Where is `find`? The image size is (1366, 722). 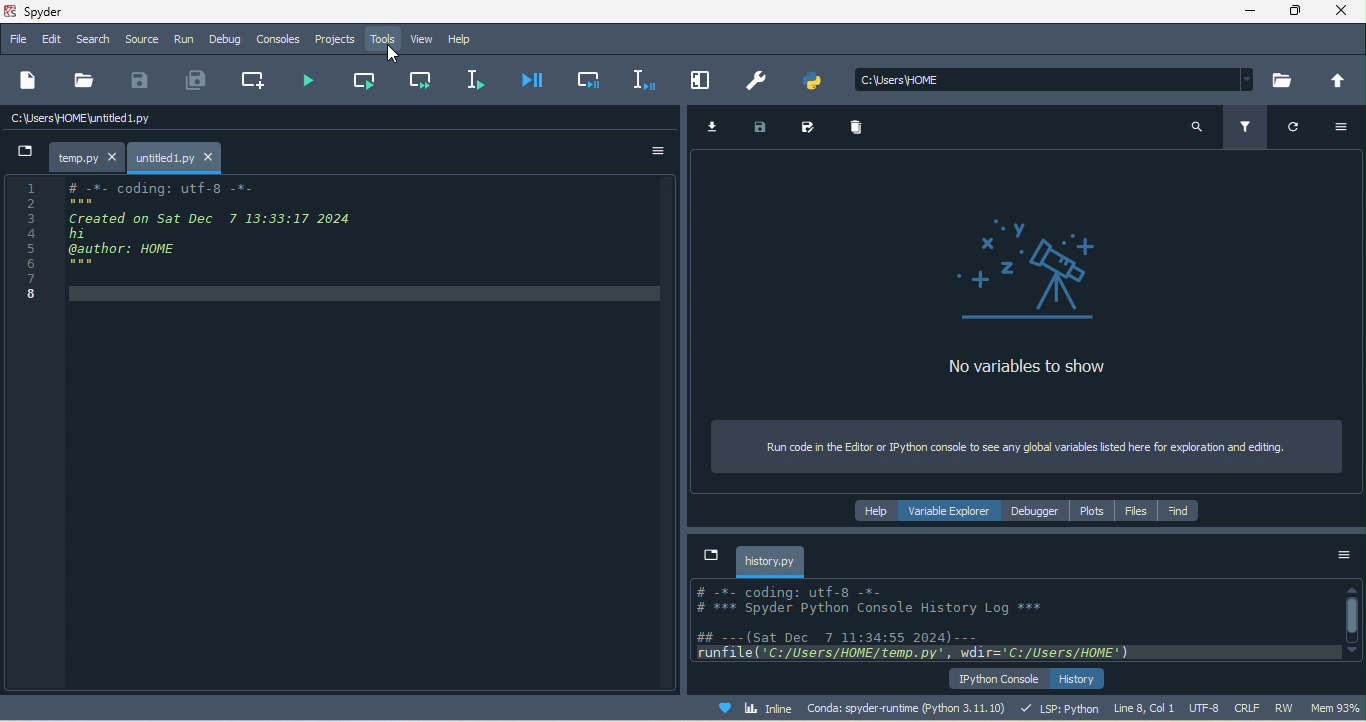 find is located at coordinates (1178, 512).